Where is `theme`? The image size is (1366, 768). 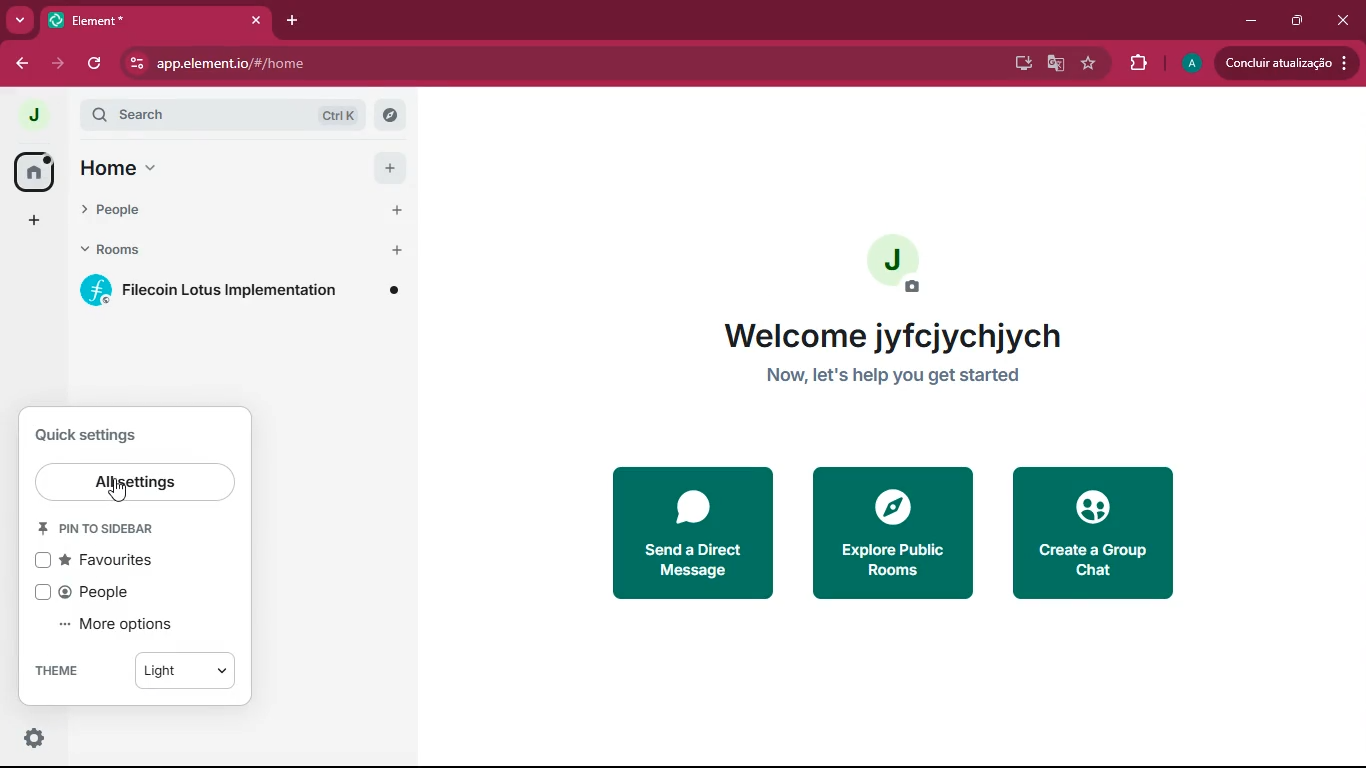 theme is located at coordinates (58, 670).